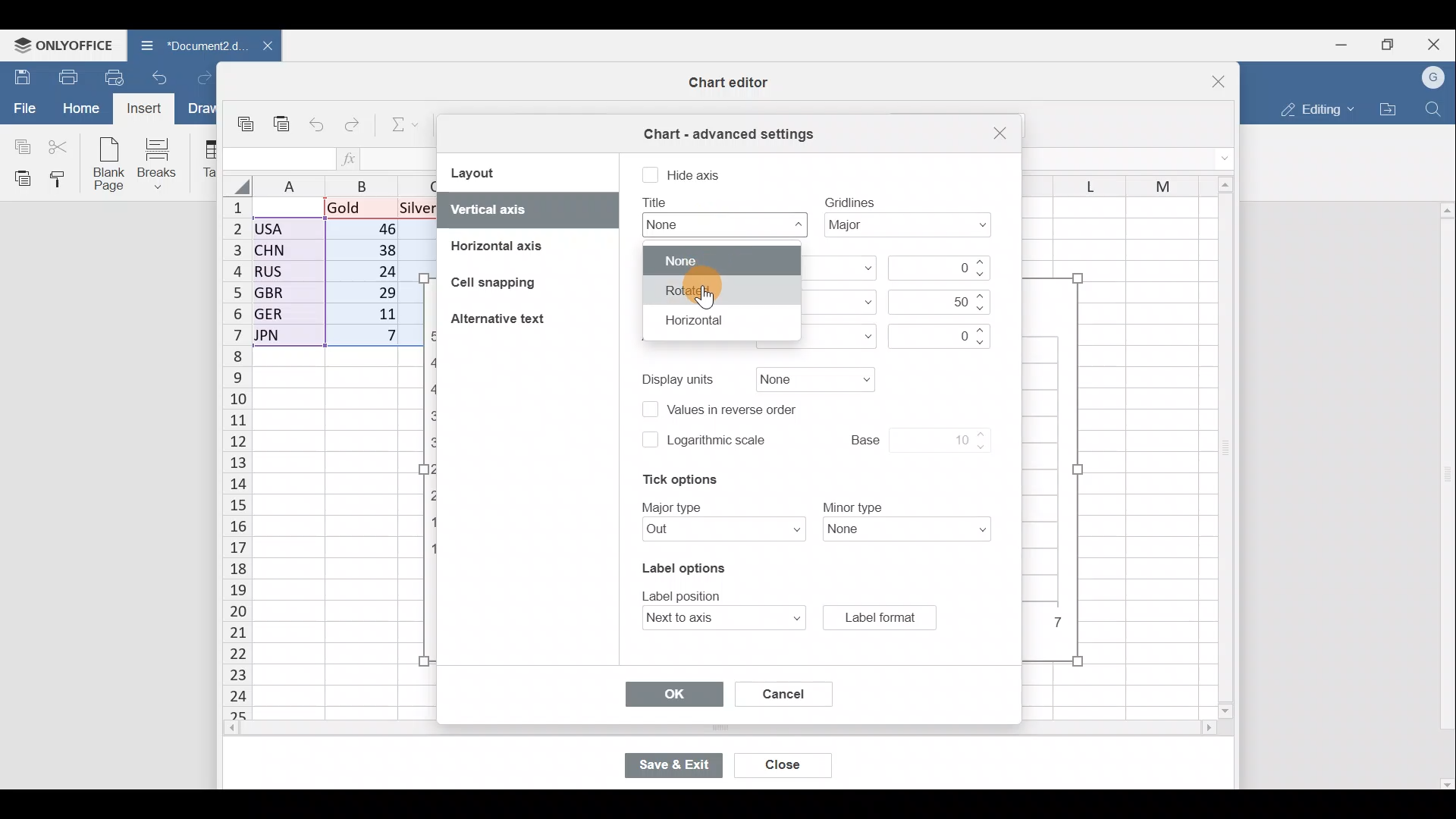  What do you see at coordinates (165, 162) in the screenshot?
I see `Breaks` at bounding box center [165, 162].